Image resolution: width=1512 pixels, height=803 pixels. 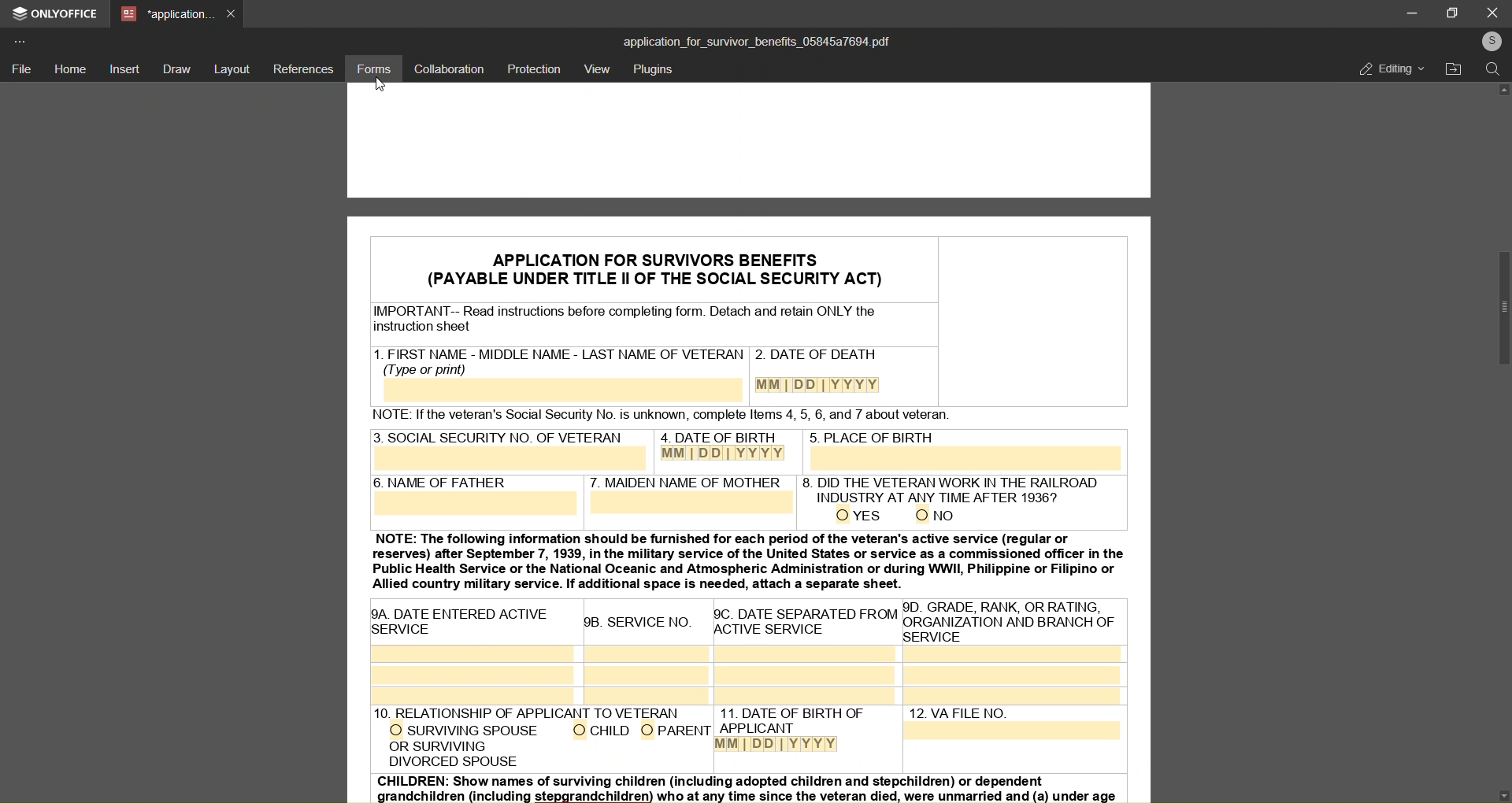 I want to click on title, so click(x=756, y=40).